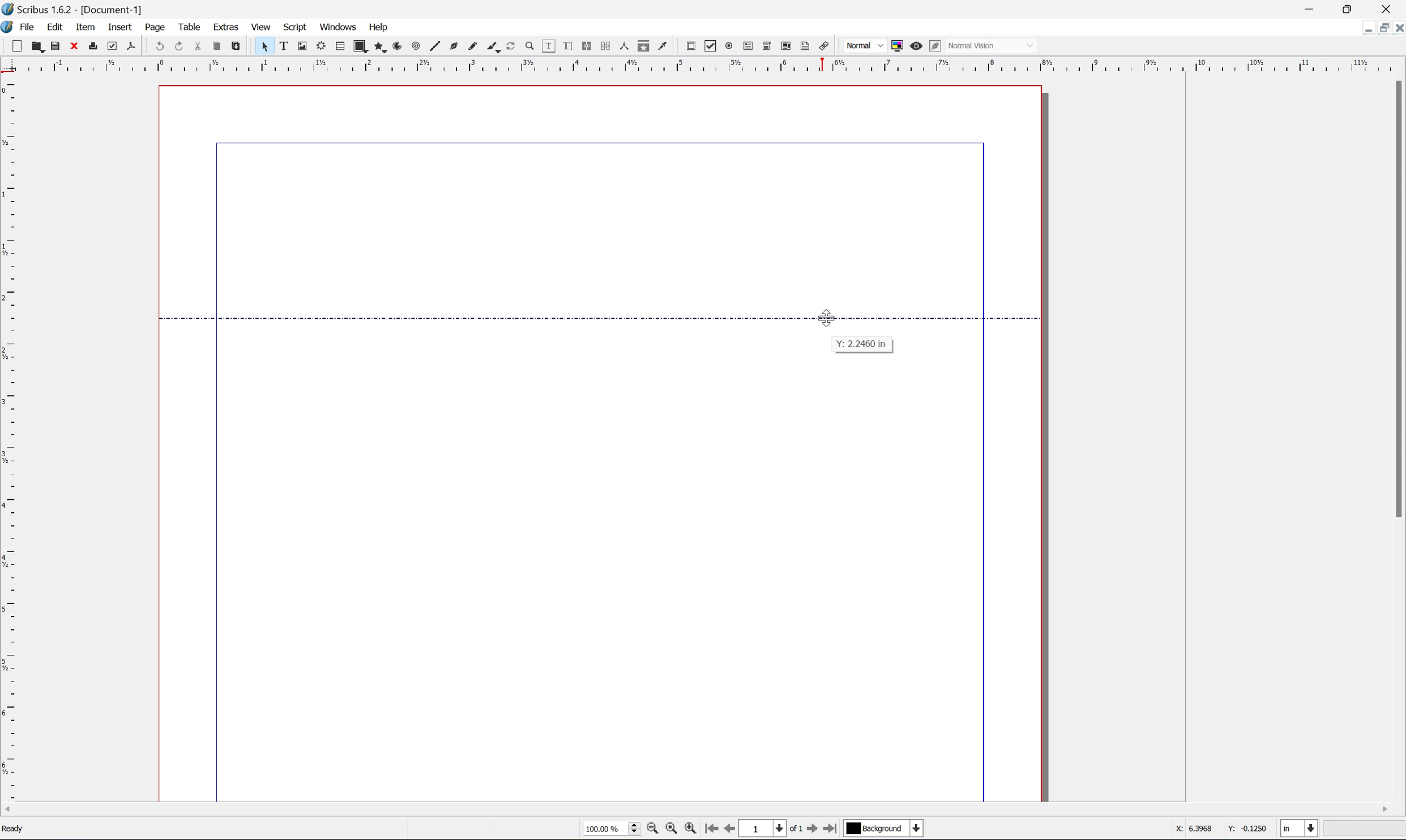  Describe the element at coordinates (359, 46) in the screenshot. I see `shape` at that location.